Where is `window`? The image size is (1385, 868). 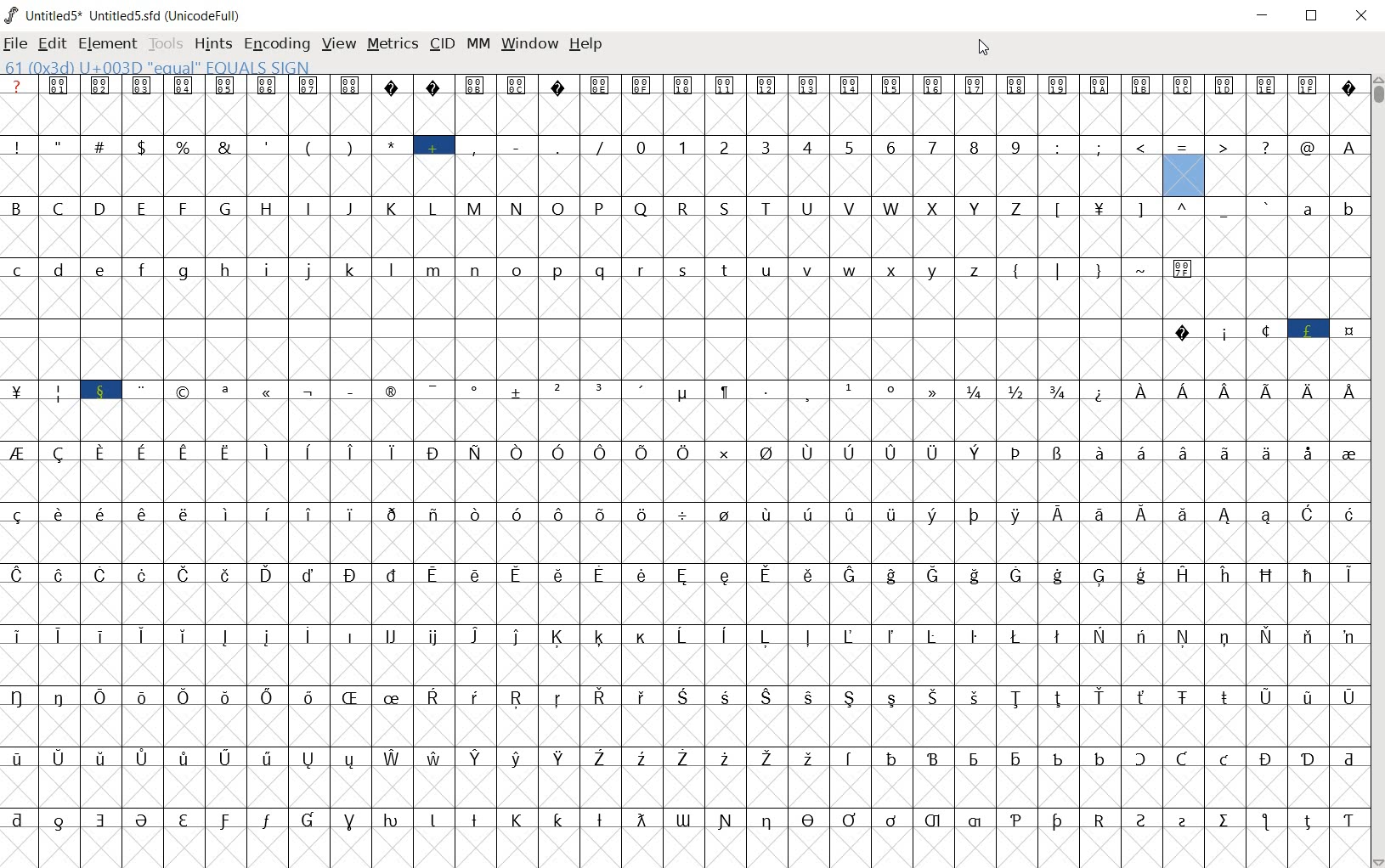 window is located at coordinates (529, 44).